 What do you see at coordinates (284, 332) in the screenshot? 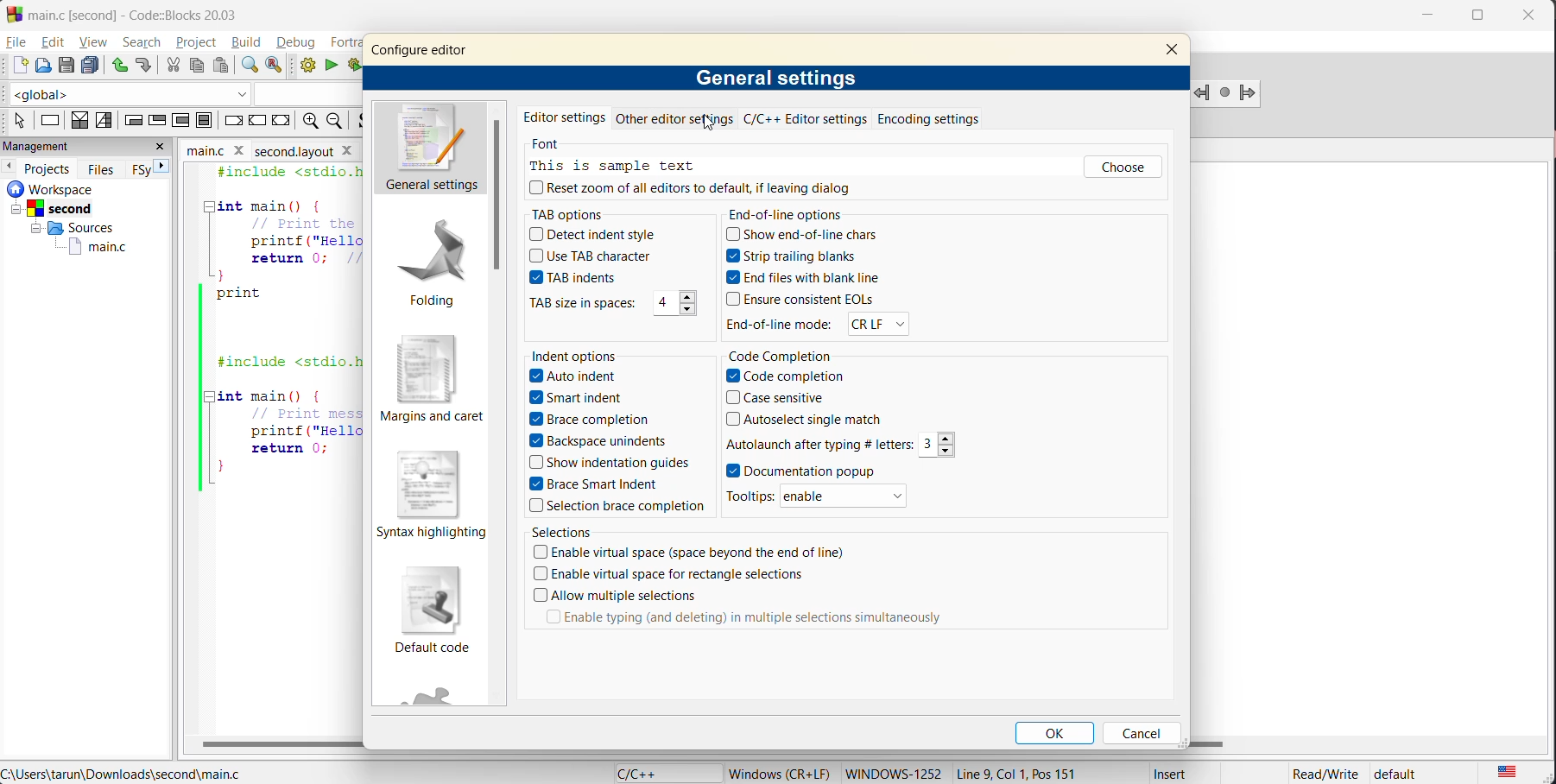
I see `#include <stdio.h> 2 3  int main() {4 Print the Hello, World message5) printf ("Hello, World!\n");6 return 0; Return success7 }8 print5 ||10112 | #include <stdio.h>1314 [Tint main() (15 Print message to console16 printf ("Hello, World!\n");17 return 0;18 ||}19` at bounding box center [284, 332].